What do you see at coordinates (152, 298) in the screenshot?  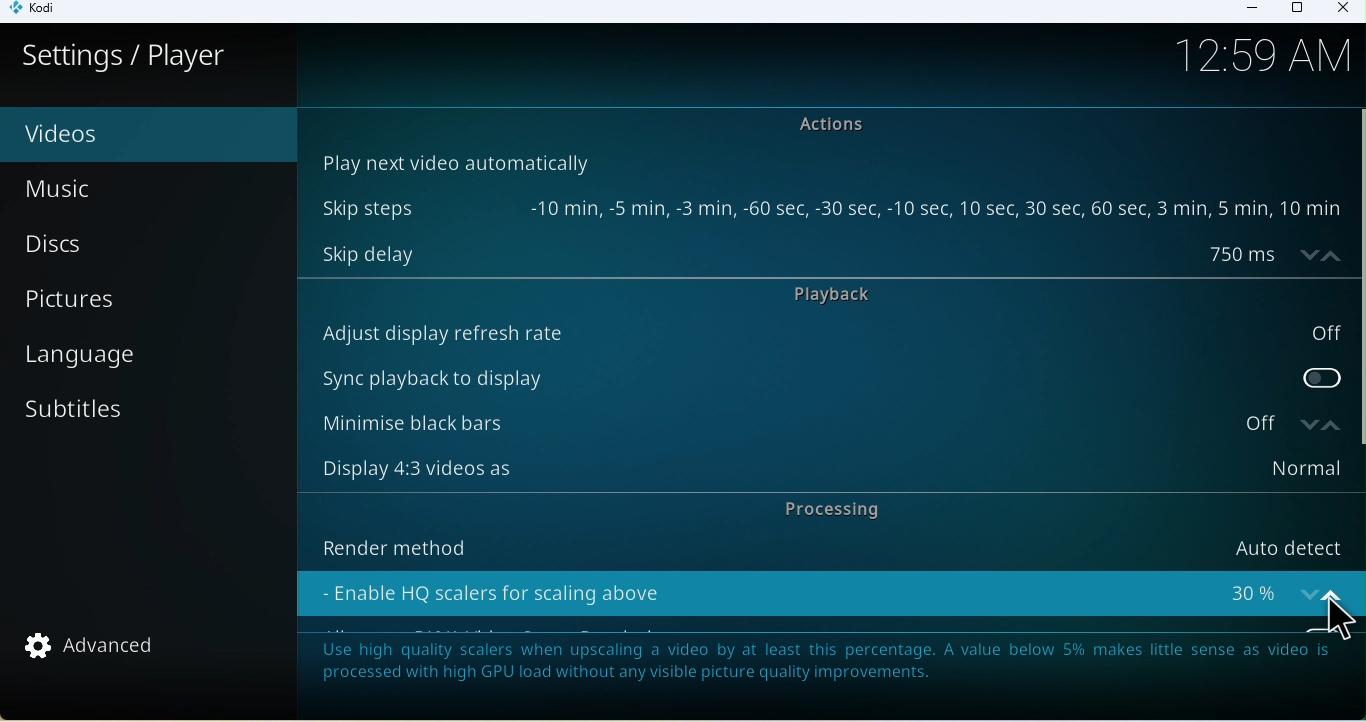 I see `Pictures` at bounding box center [152, 298].